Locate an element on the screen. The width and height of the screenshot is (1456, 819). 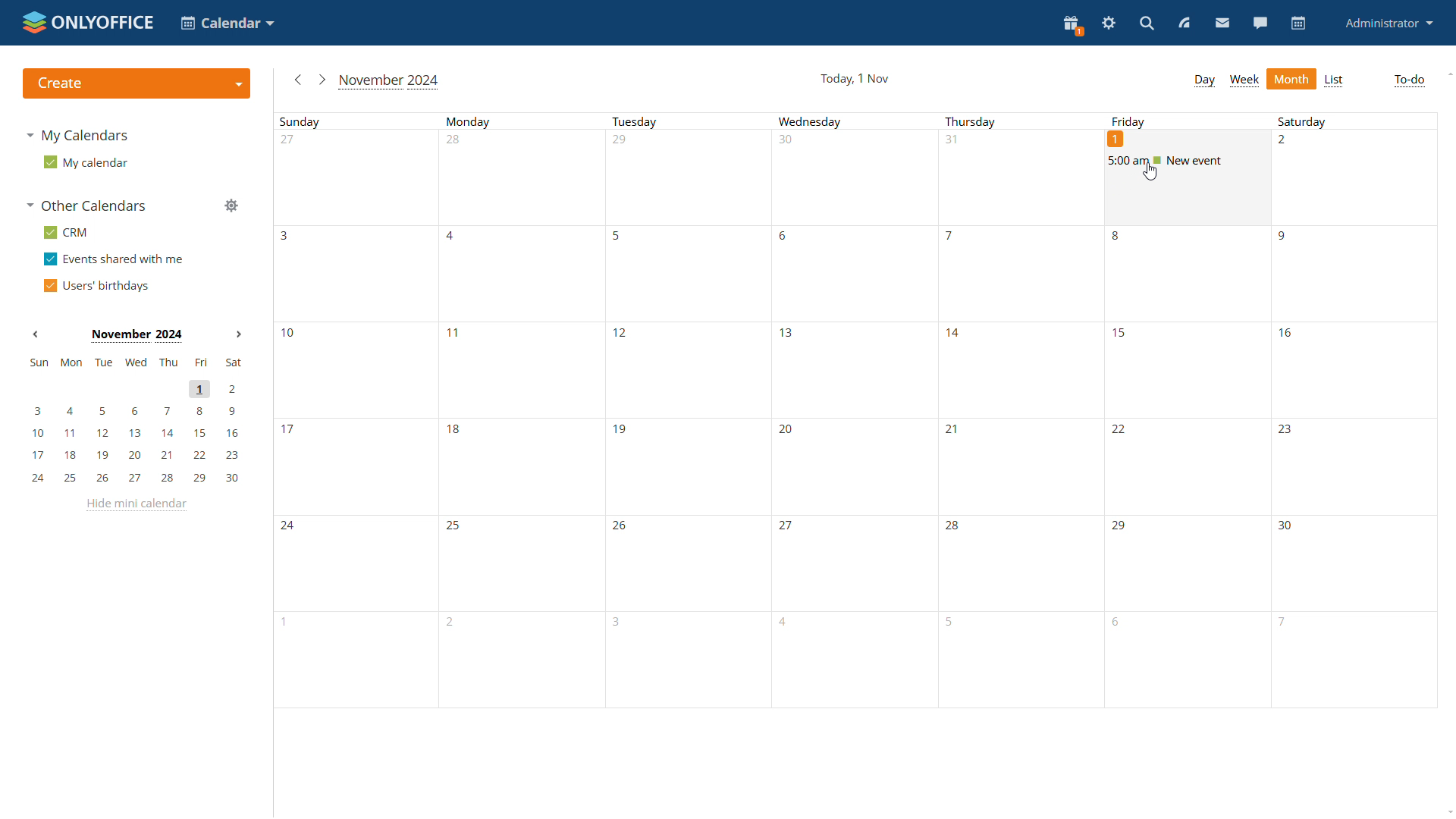
Saturdays is located at coordinates (1351, 411).